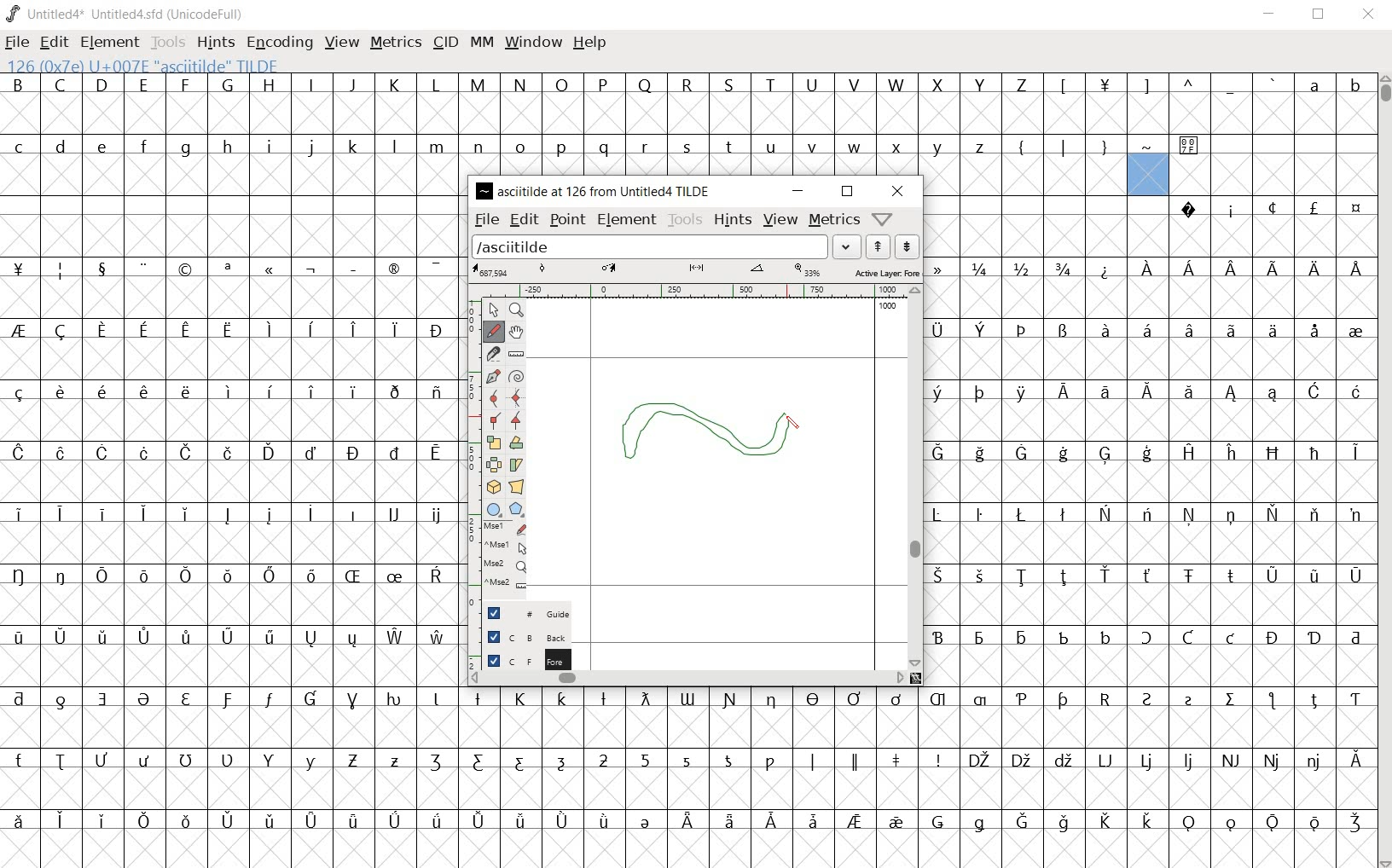 The width and height of the screenshot is (1392, 868). I want to click on point, so click(568, 220).